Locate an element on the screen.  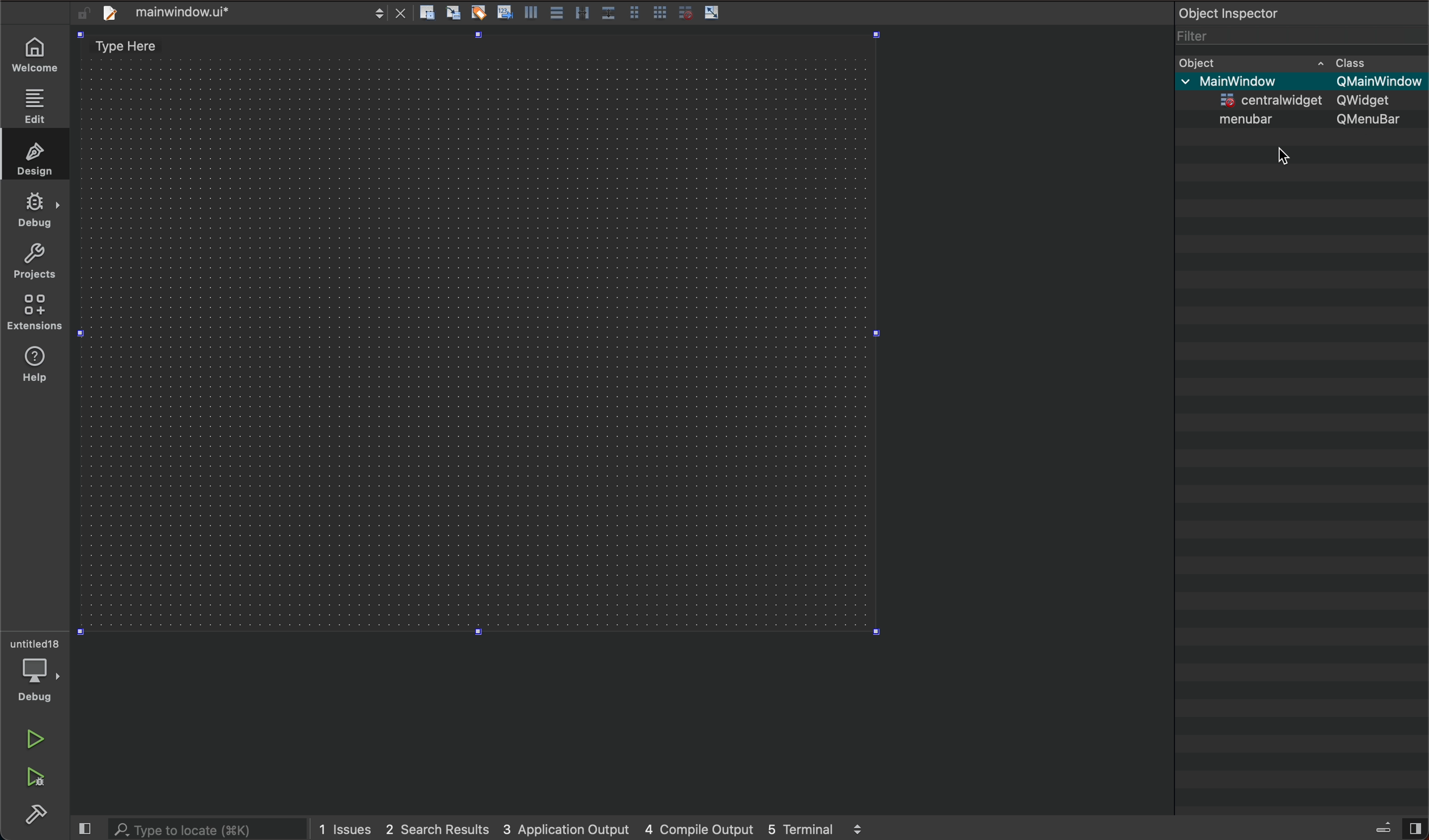
views is located at coordinates (1398, 827).